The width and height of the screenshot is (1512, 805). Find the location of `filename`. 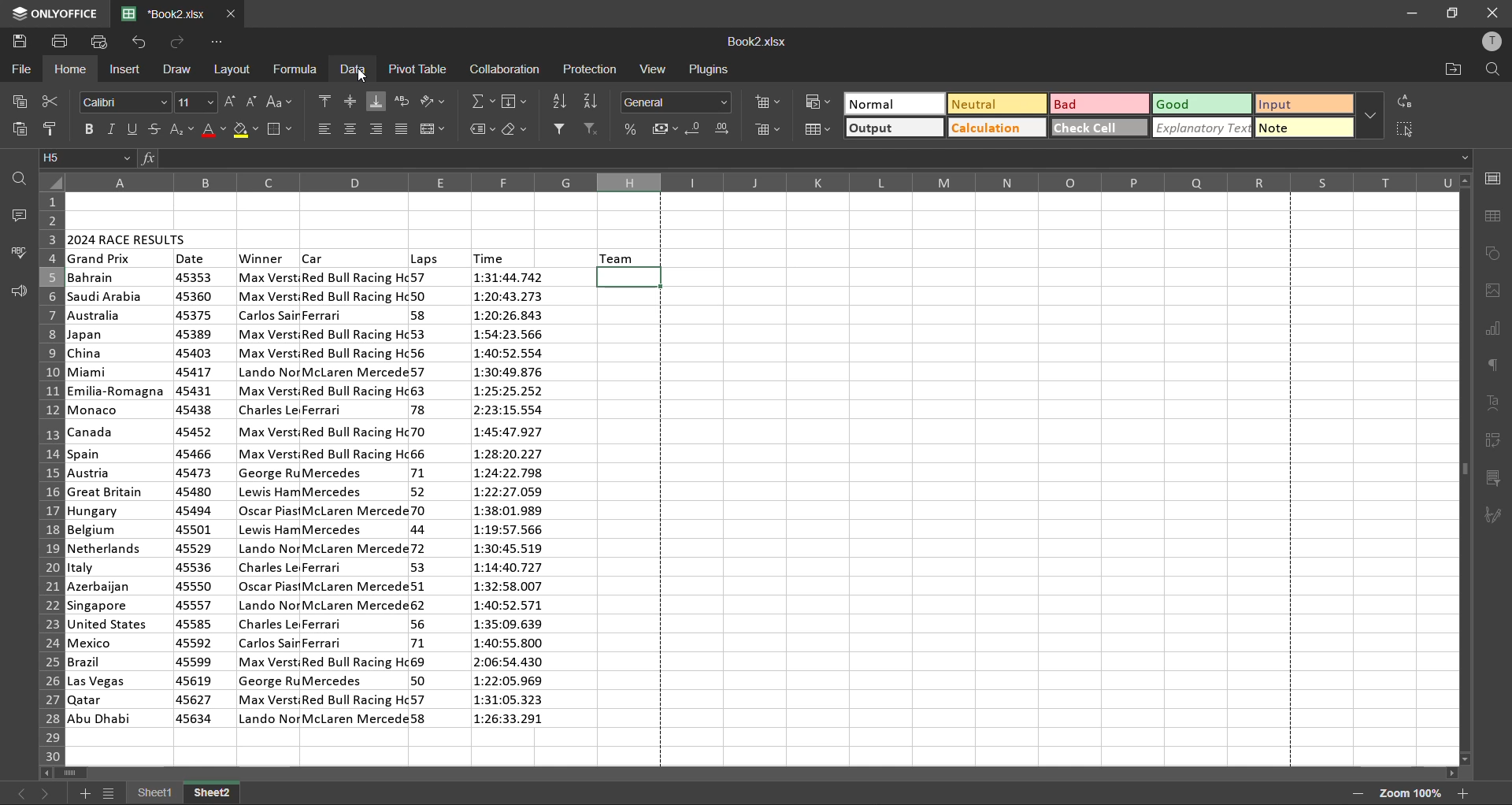

filename is located at coordinates (169, 13).